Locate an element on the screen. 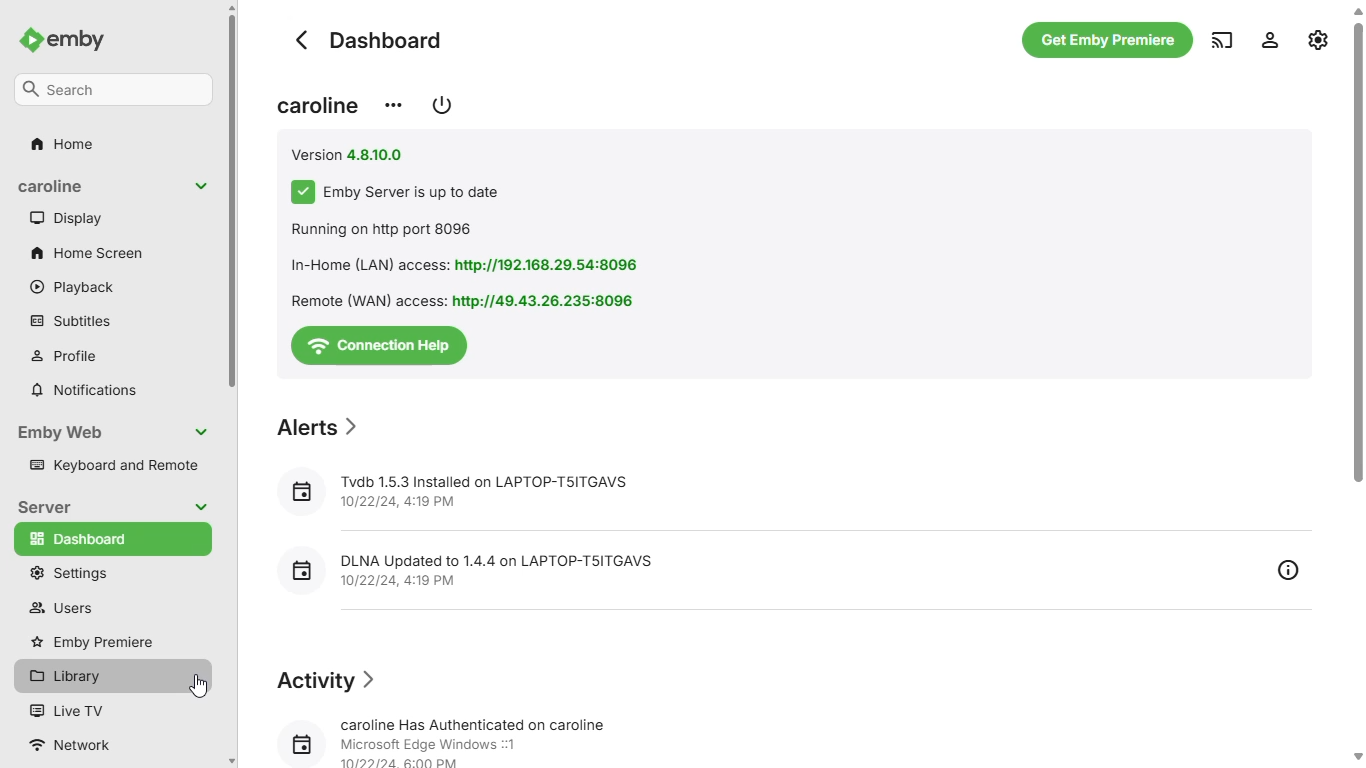 The image size is (1366, 768). toggle collapse is located at coordinates (201, 432).